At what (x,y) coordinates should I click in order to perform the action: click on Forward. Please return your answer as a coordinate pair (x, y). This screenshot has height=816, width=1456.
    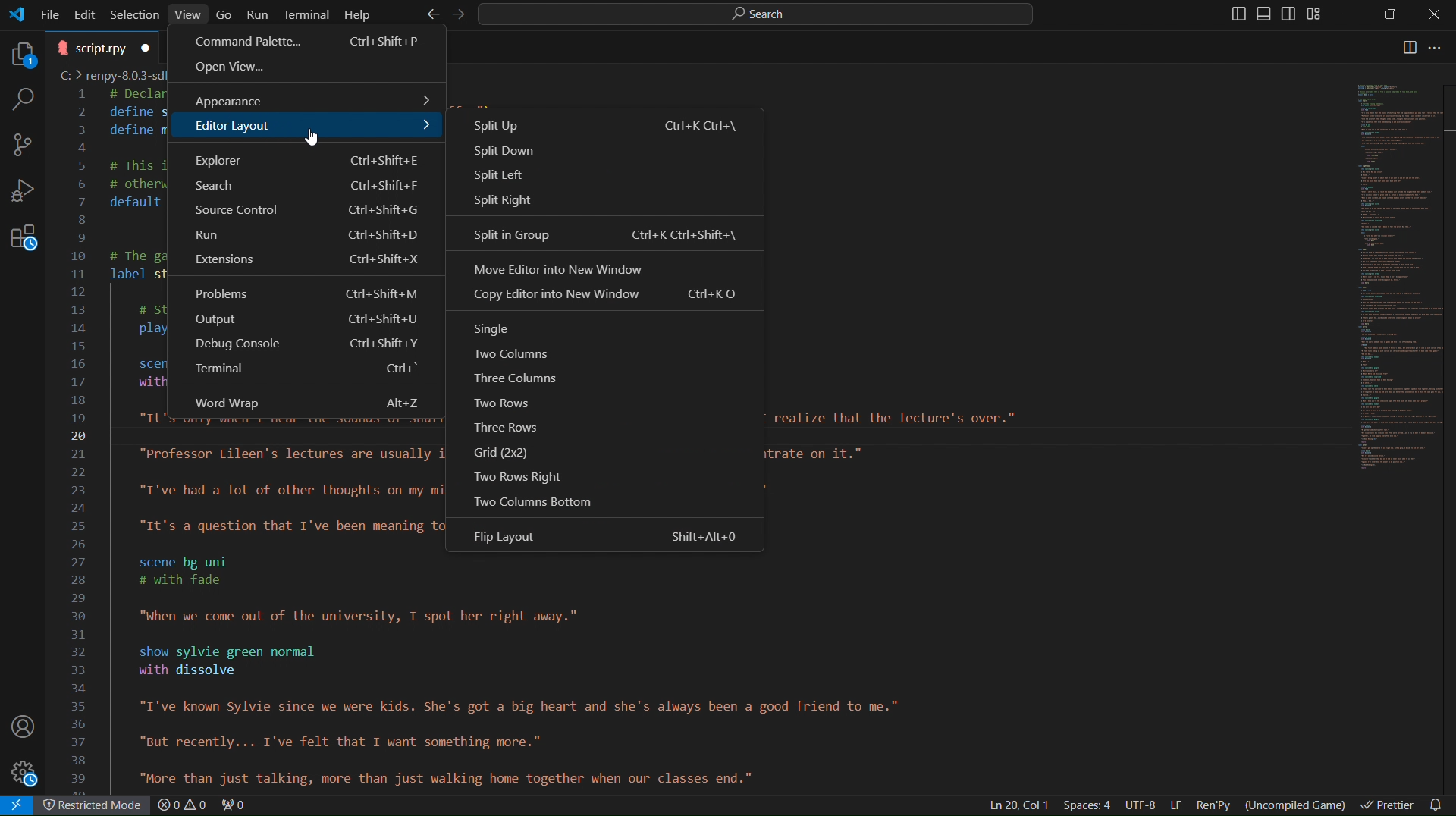
    Looking at the image, I should click on (454, 14).